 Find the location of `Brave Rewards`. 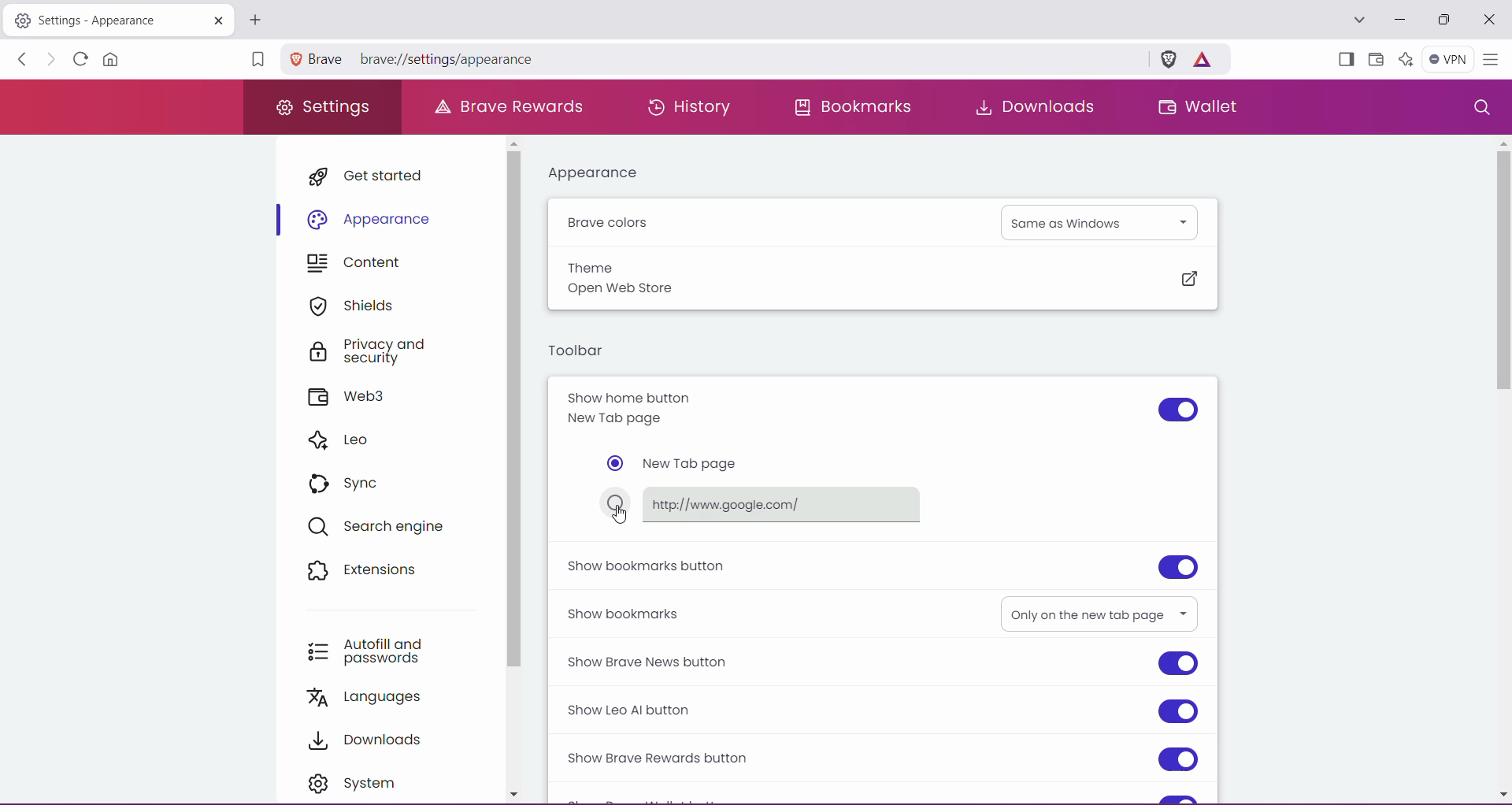

Brave Rewards is located at coordinates (512, 106).